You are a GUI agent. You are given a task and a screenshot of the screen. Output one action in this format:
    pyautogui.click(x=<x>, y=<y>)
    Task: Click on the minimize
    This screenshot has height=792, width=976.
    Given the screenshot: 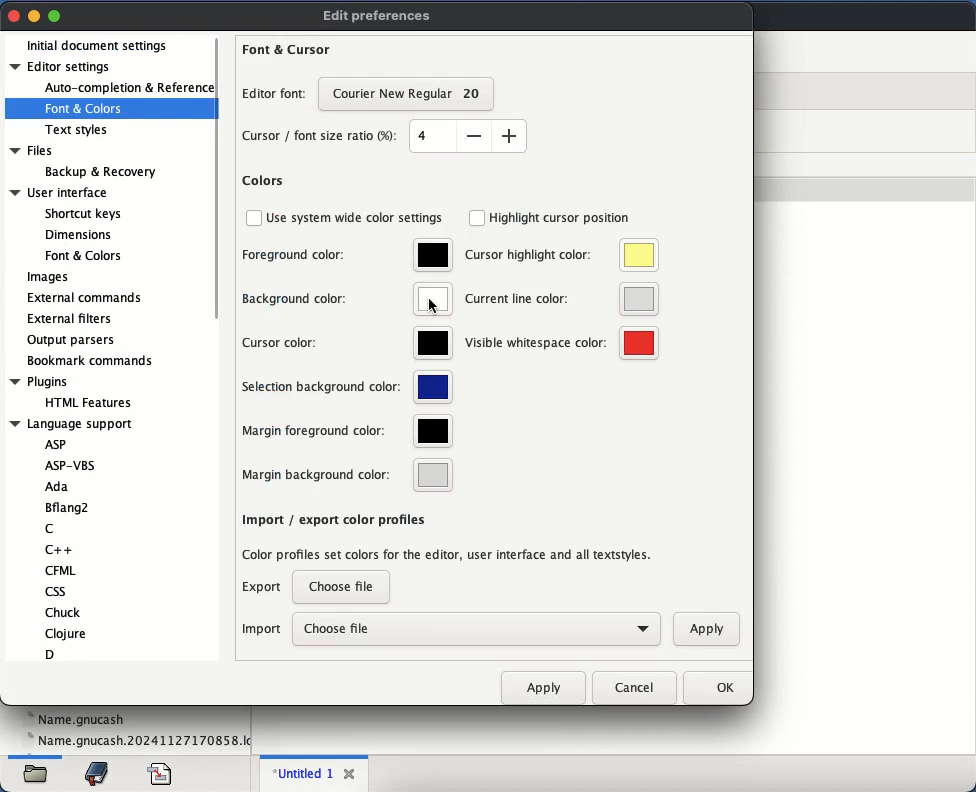 What is the action you would take?
    pyautogui.click(x=34, y=15)
    